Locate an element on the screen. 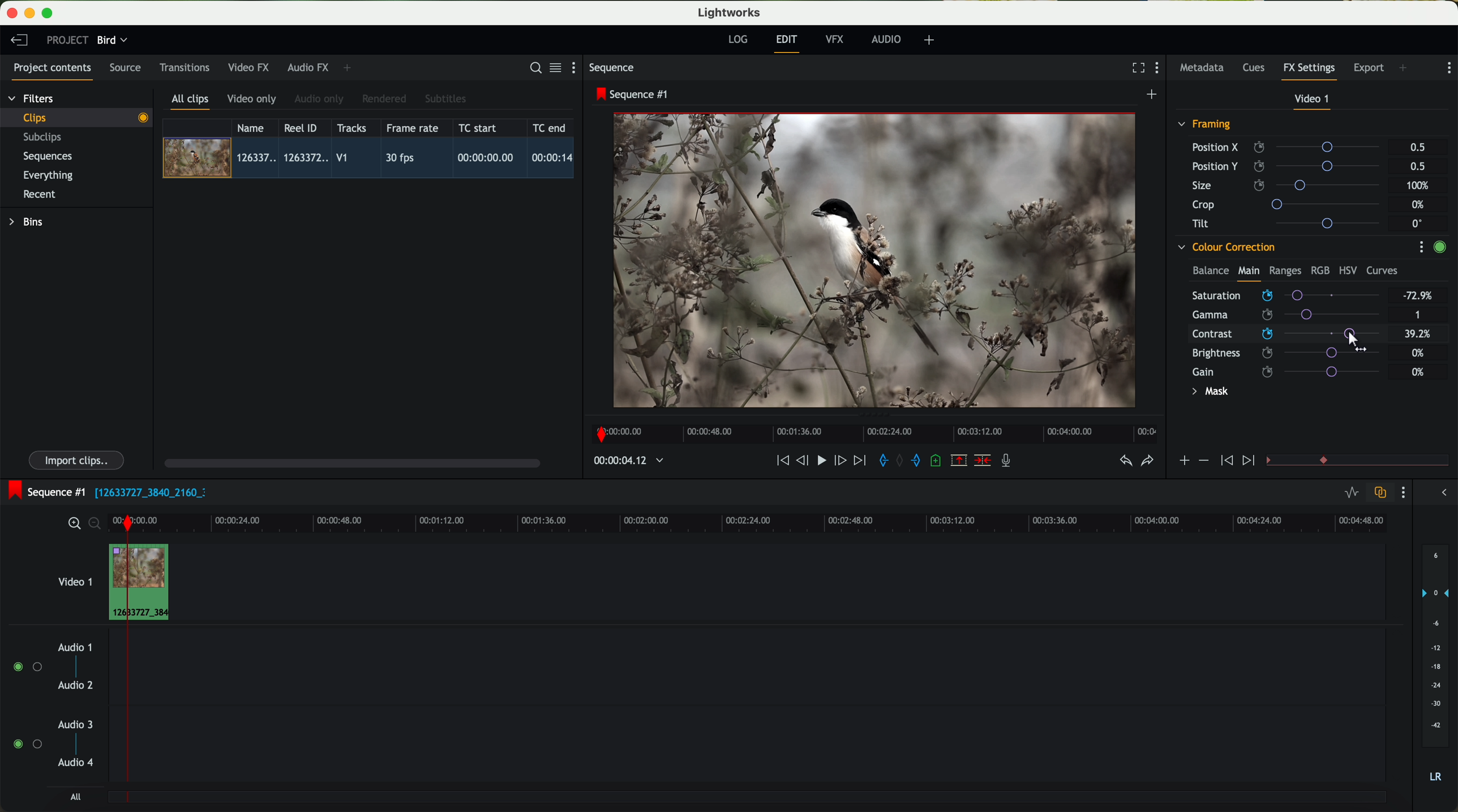 The width and height of the screenshot is (1458, 812). 73.8% is located at coordinates (1418, 296).